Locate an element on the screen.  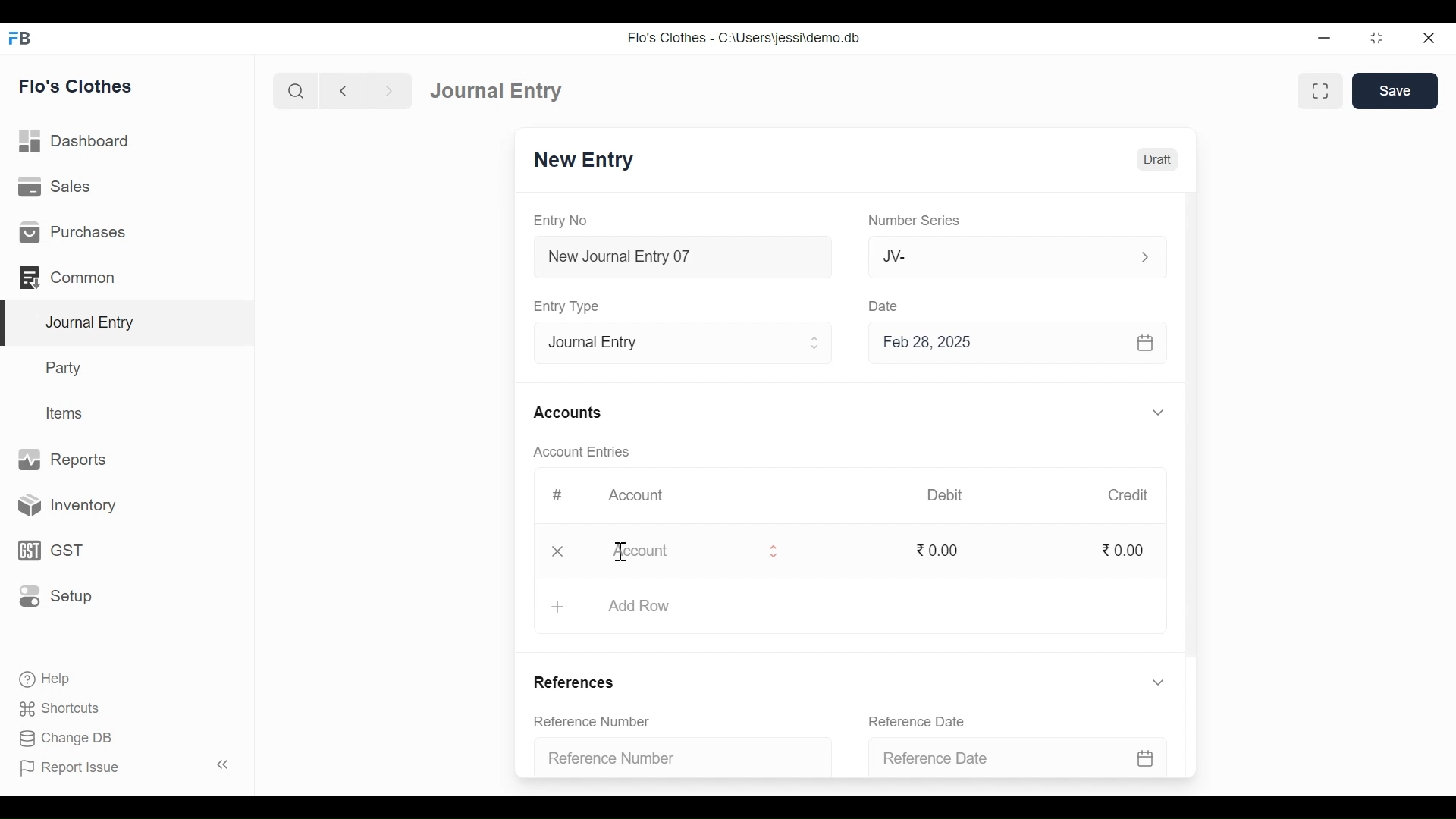
Expand is located at coordinates (817, 343).